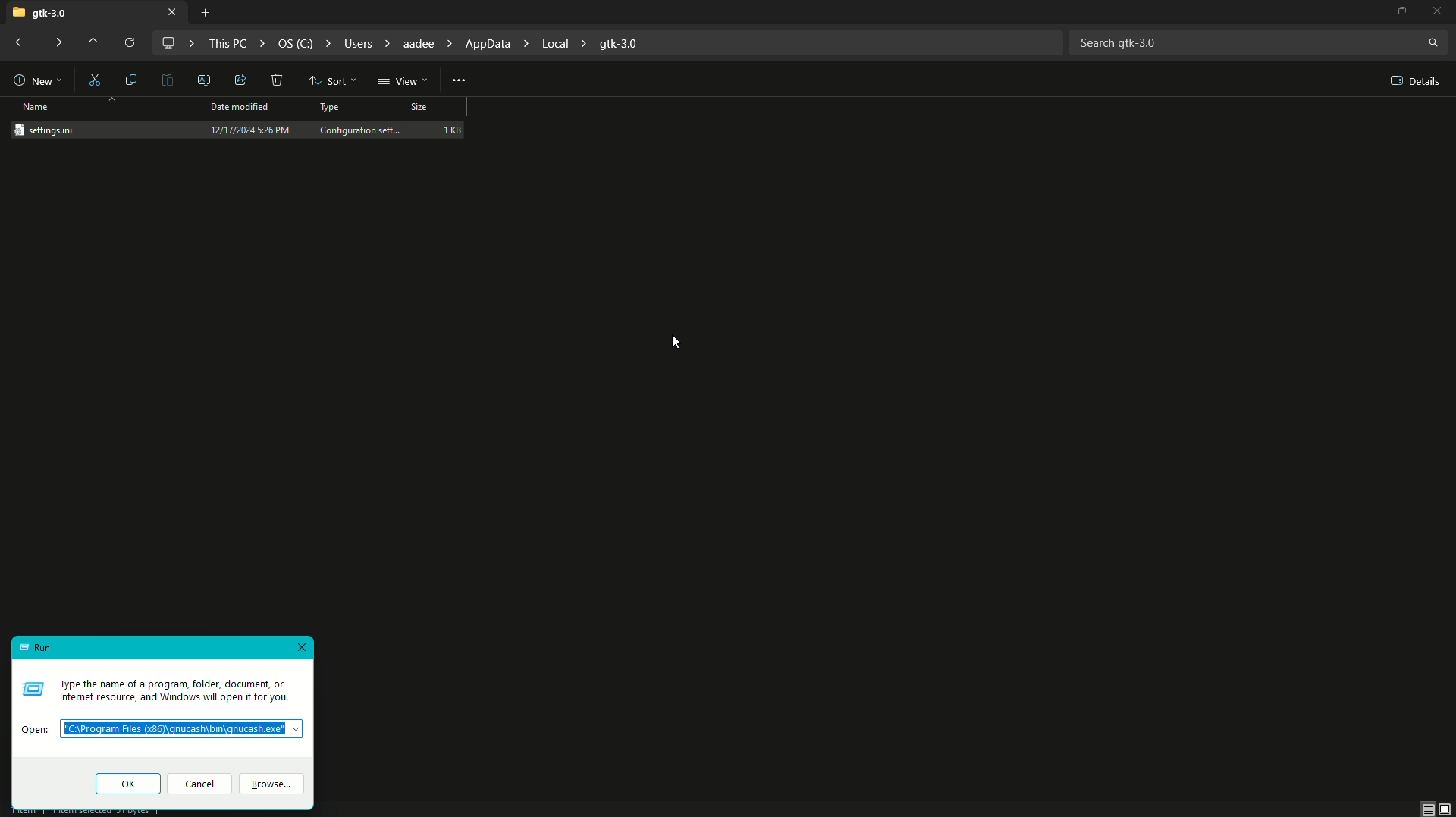  What do you see at coordinates (59, 44) in the screenshot?
I see `Forward` at bounding box center [59, 44].